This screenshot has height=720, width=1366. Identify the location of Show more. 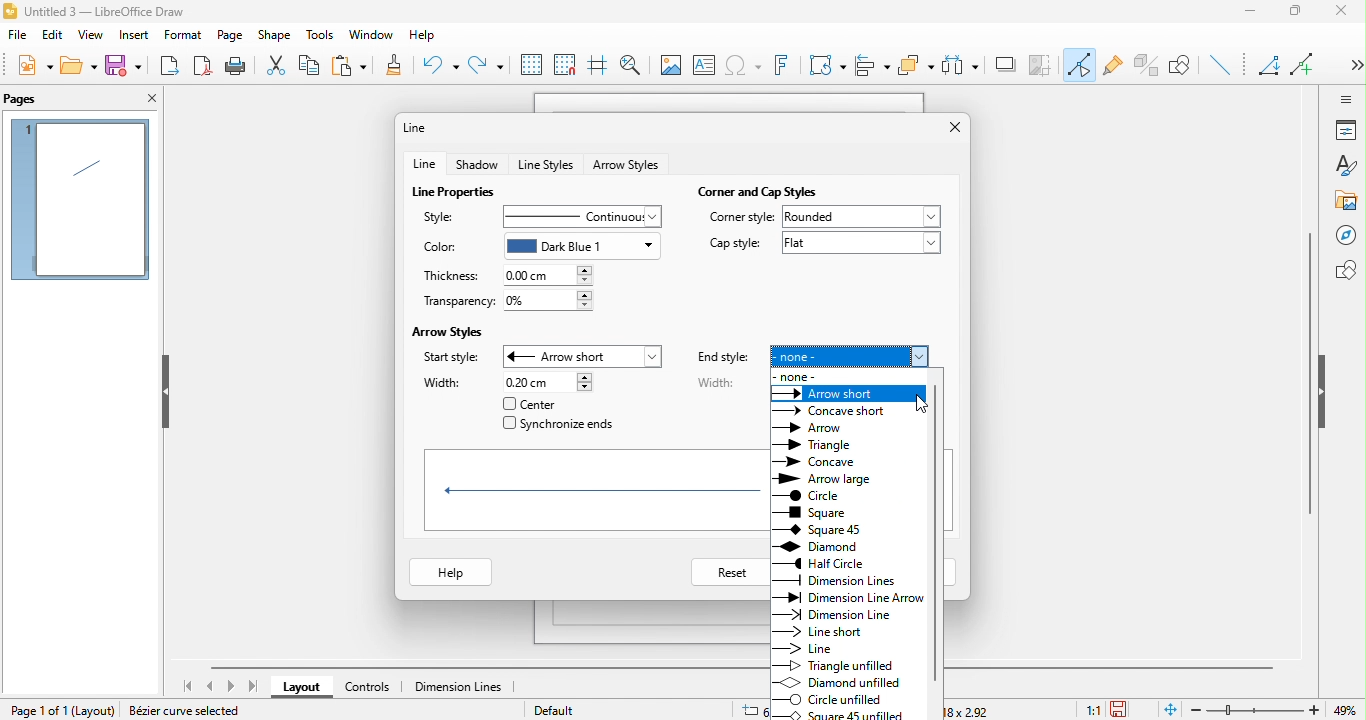
(1349, 58).